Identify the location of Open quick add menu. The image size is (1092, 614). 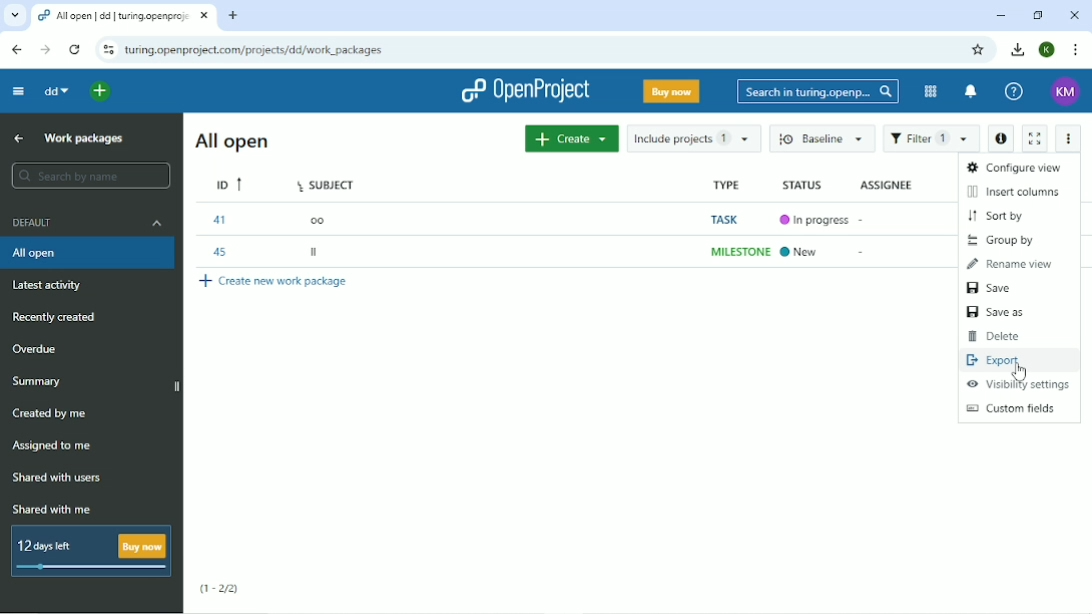
(100, 91).